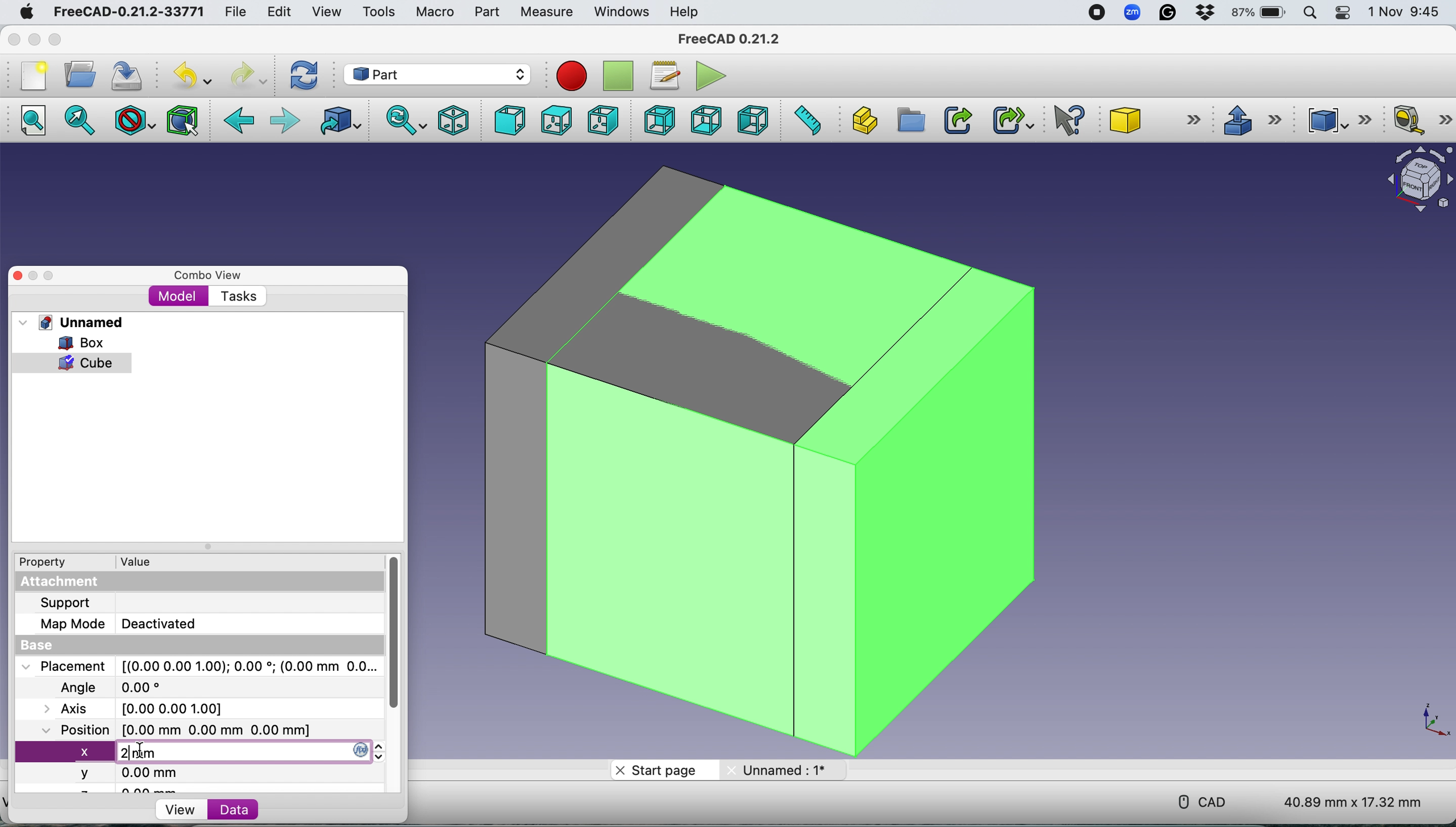 This screenshot has width=1456, height=827. What do you see at coordinates (1406, 12) in the screenshot?
I see `1 Nov 9:45` at bounding box center [1406, 12].